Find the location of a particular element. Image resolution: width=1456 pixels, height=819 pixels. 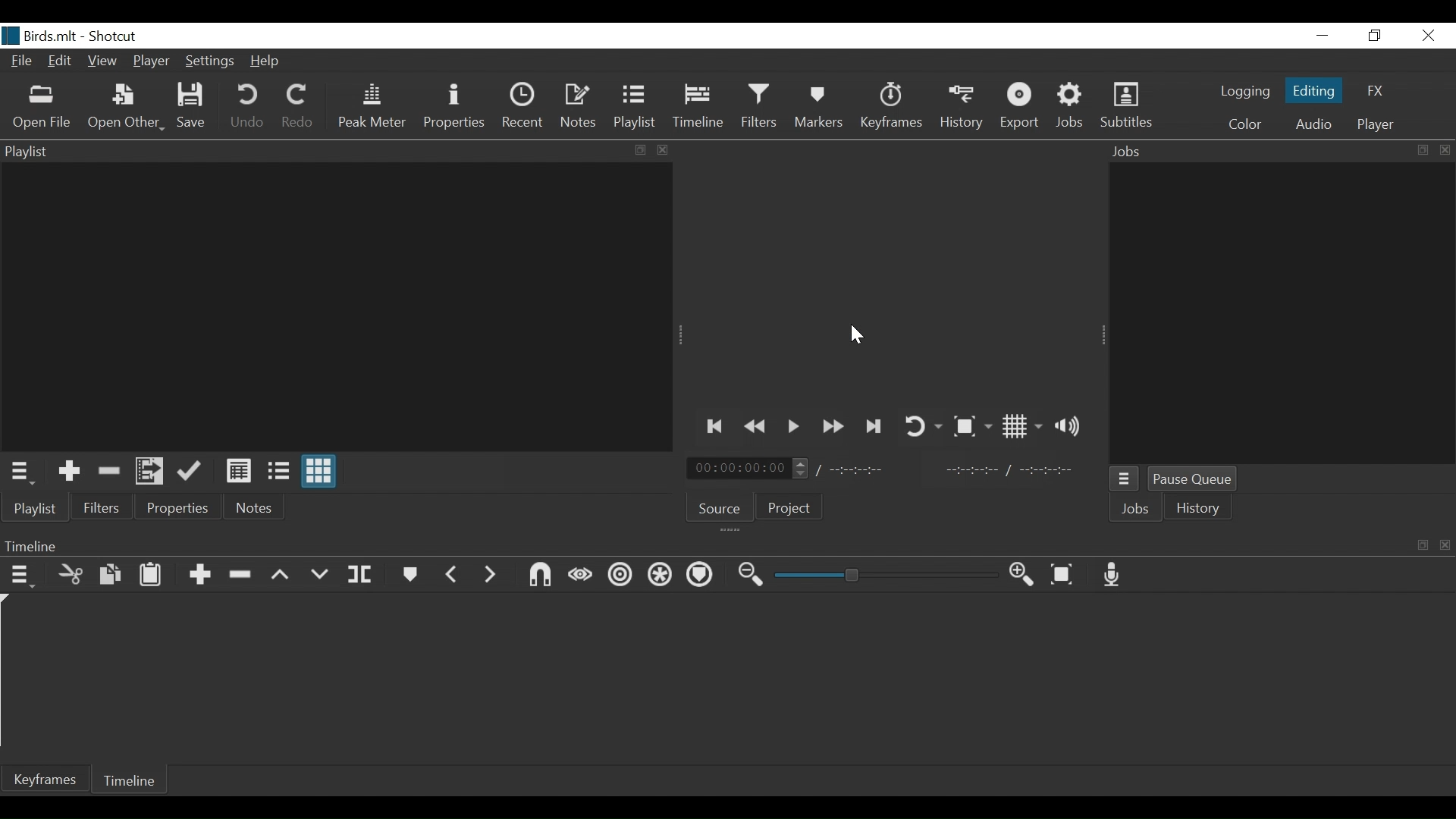

Redo is located at coordinates (297, 108).